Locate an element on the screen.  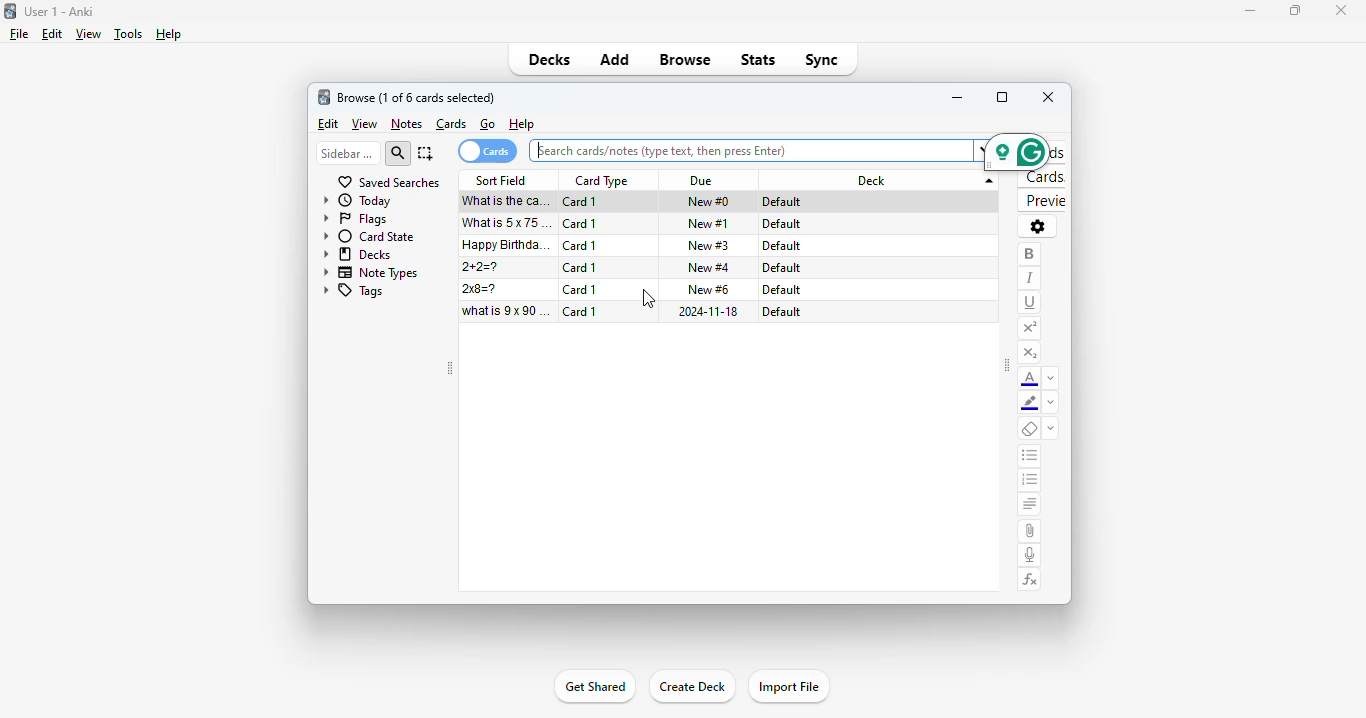
card state is located at coordinates (369, 236).